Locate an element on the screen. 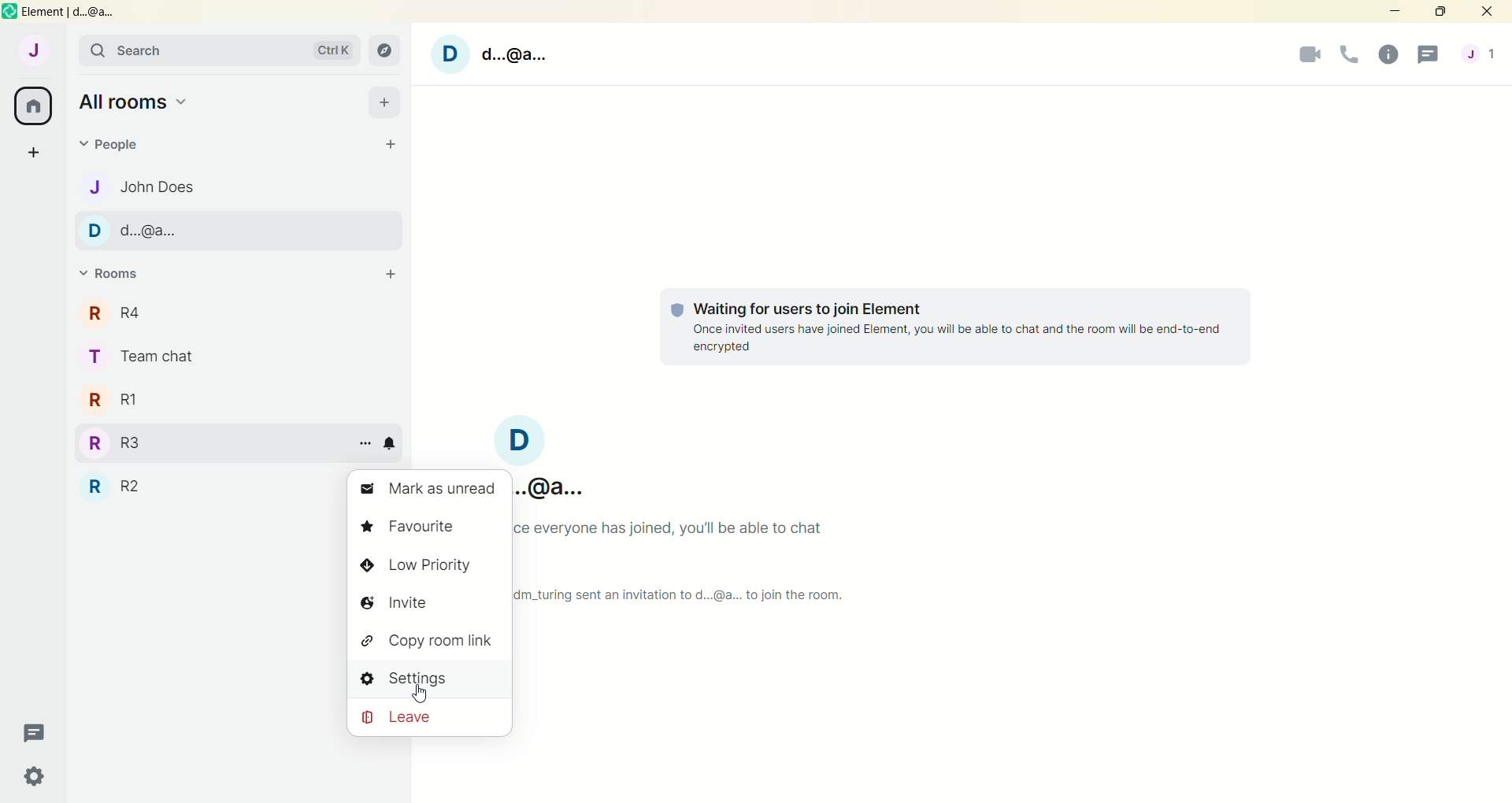  account menu is located at coordinates (1480, 56).